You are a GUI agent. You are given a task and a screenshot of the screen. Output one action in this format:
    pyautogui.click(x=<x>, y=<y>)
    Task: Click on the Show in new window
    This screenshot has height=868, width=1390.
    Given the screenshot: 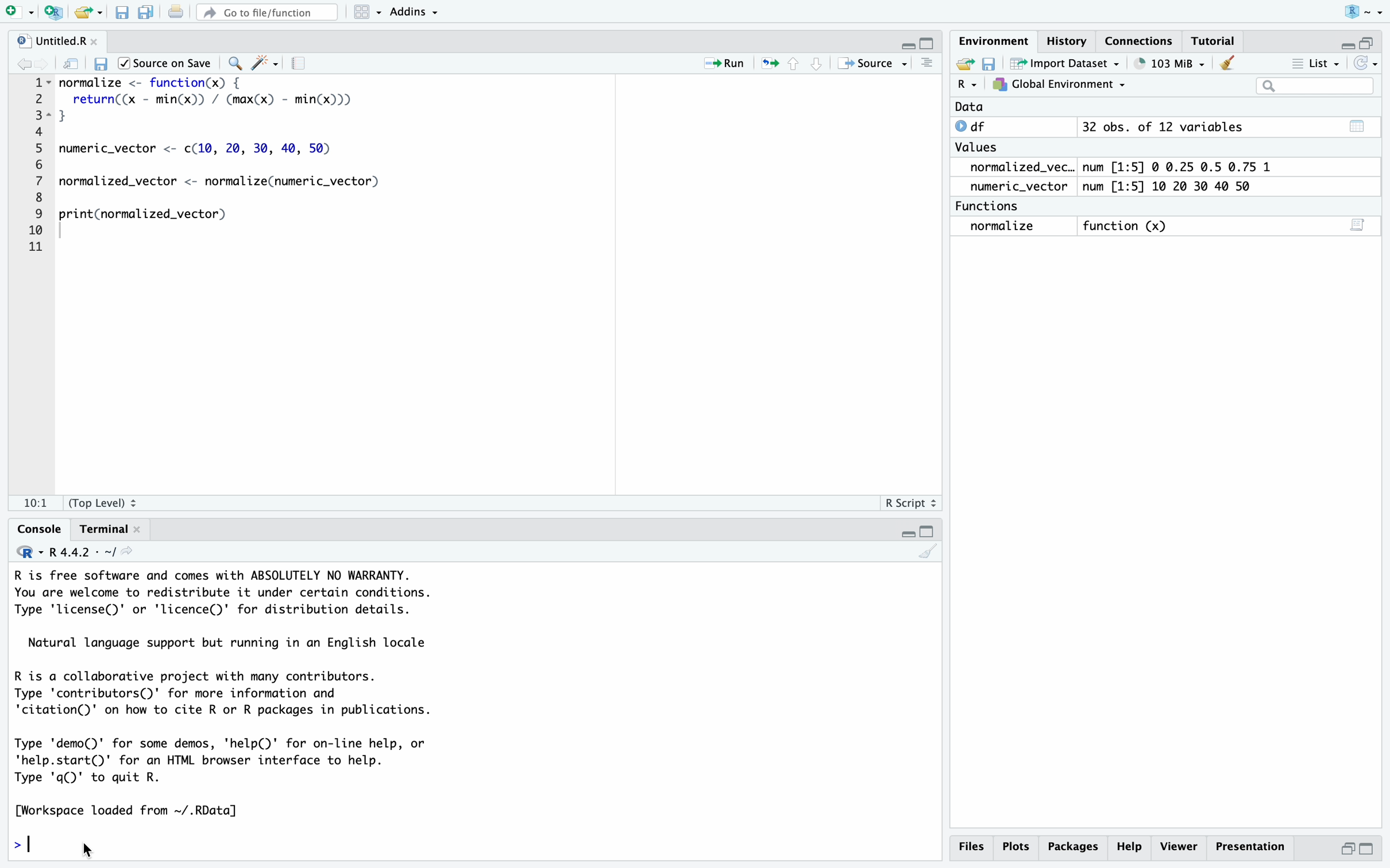 What is the action you would take?
    pyautogui.click(x=71, y=63)
    